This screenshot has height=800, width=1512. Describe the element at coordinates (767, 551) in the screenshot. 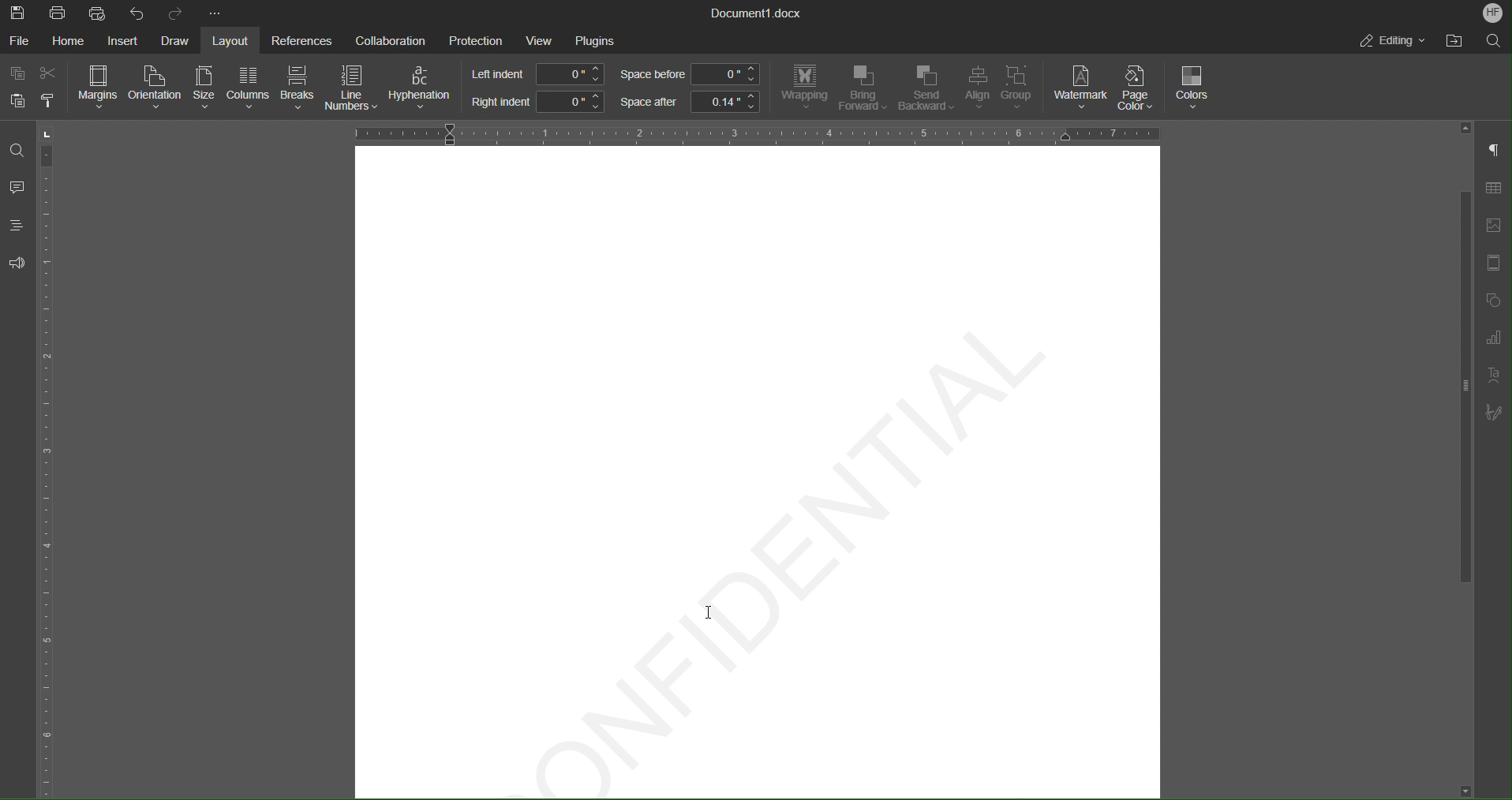

I see `Confidential Watermark` at that location.